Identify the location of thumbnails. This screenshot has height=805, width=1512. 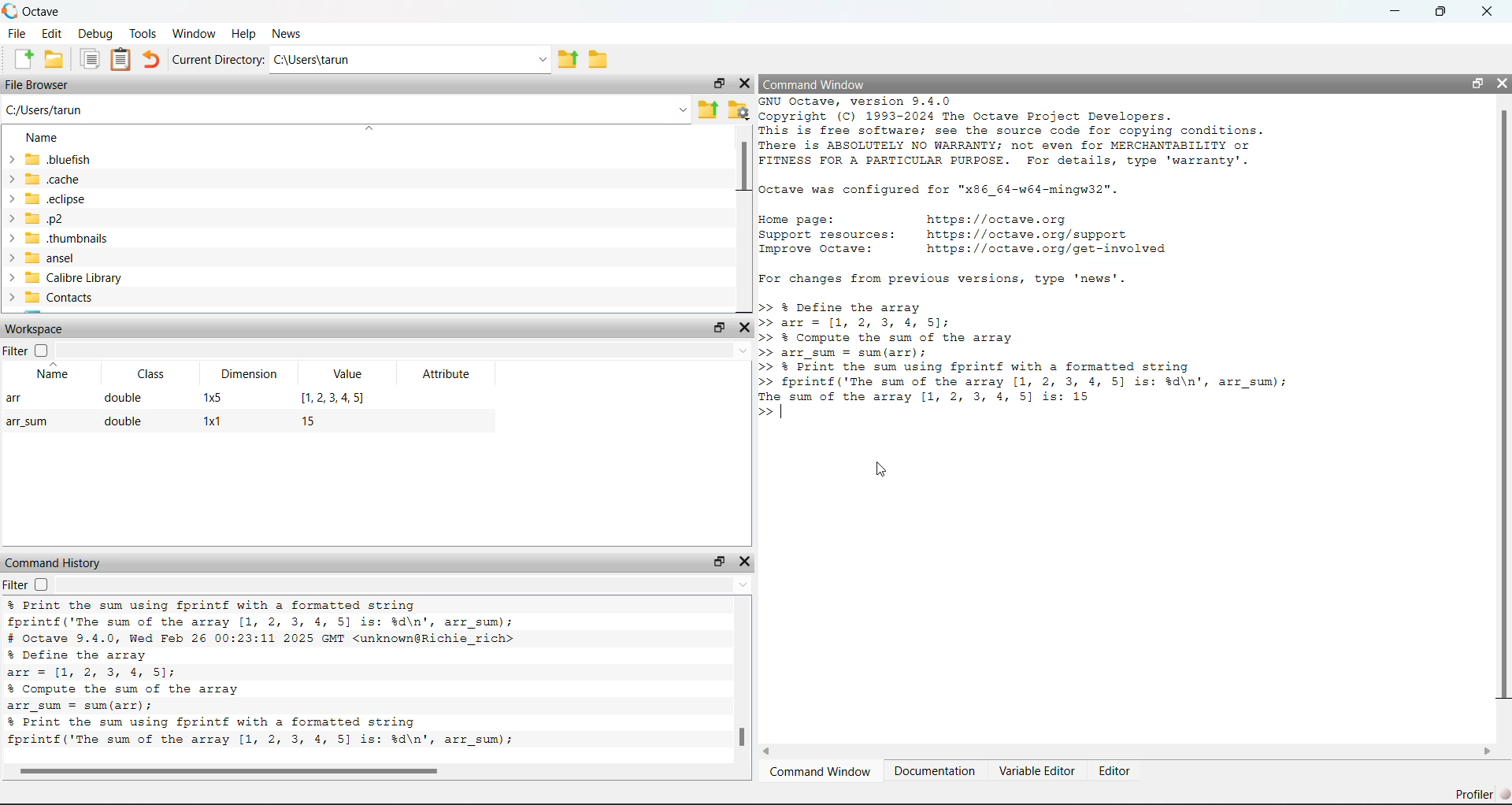
(58, 239).